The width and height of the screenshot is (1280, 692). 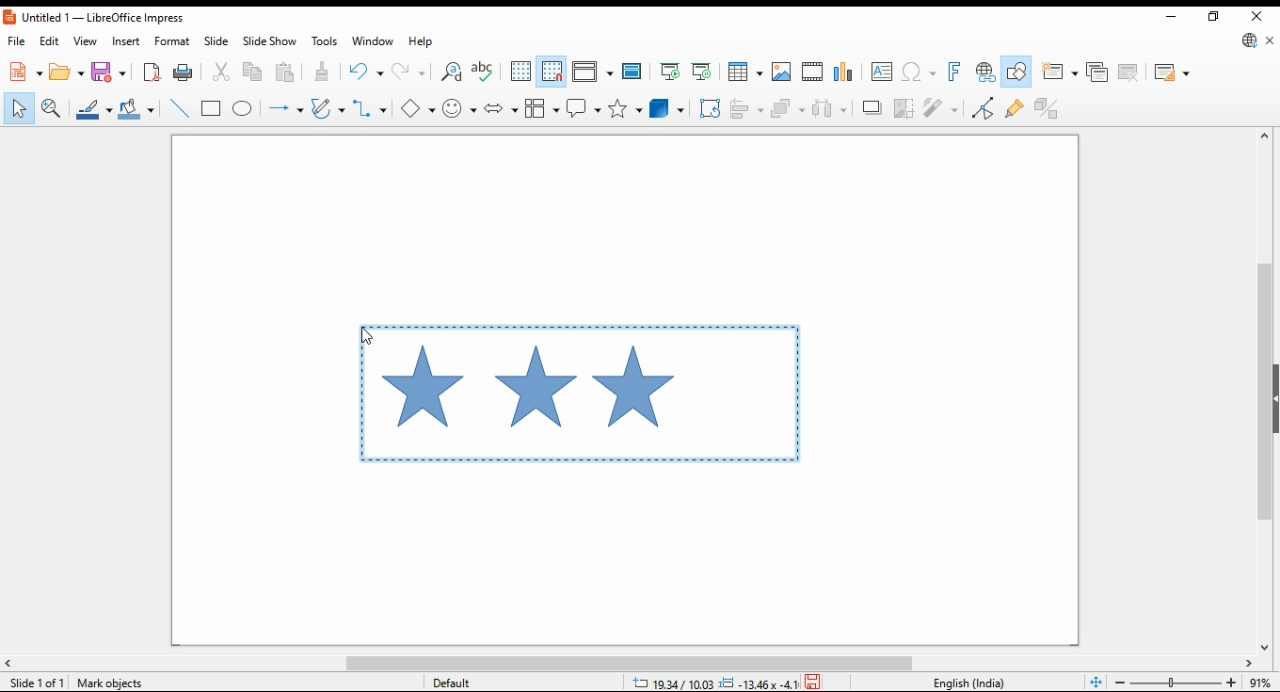 What do you see at coordinates (710, 110) in the screenshot?
I see `transformations` at bounding box center [710, 110].